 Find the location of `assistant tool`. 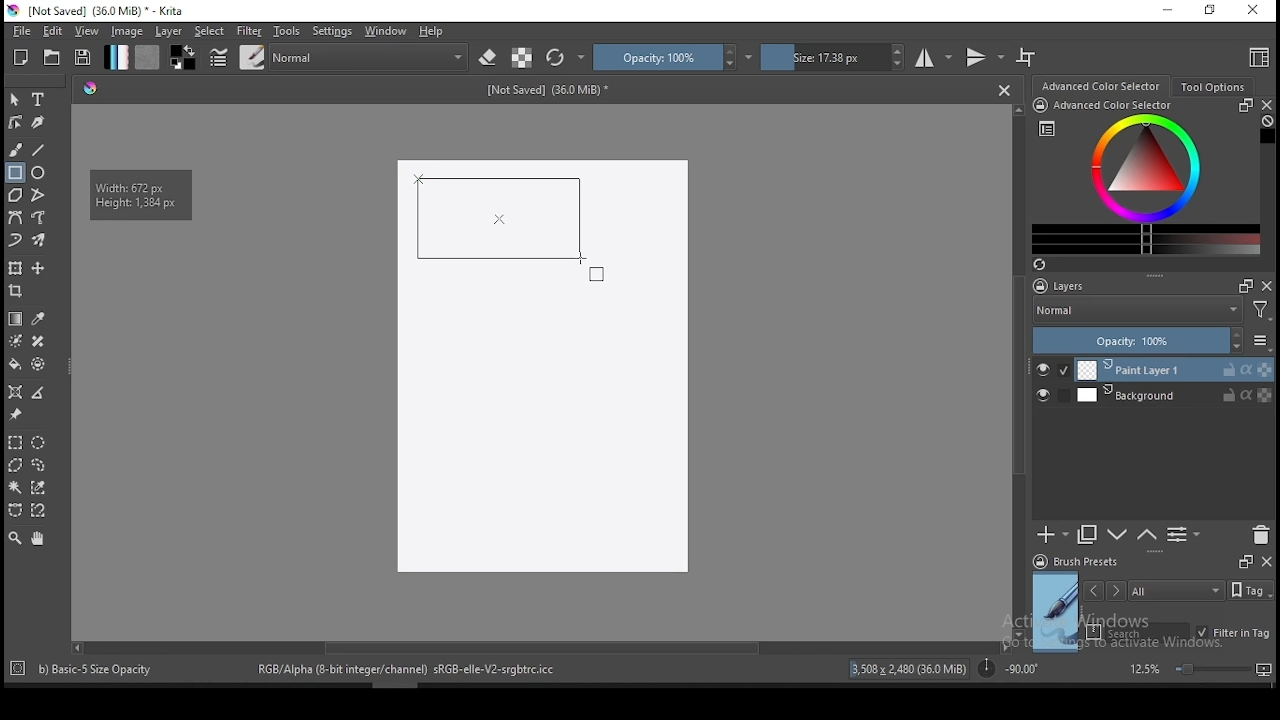

assistant tool is located at coordinates (15, 392).